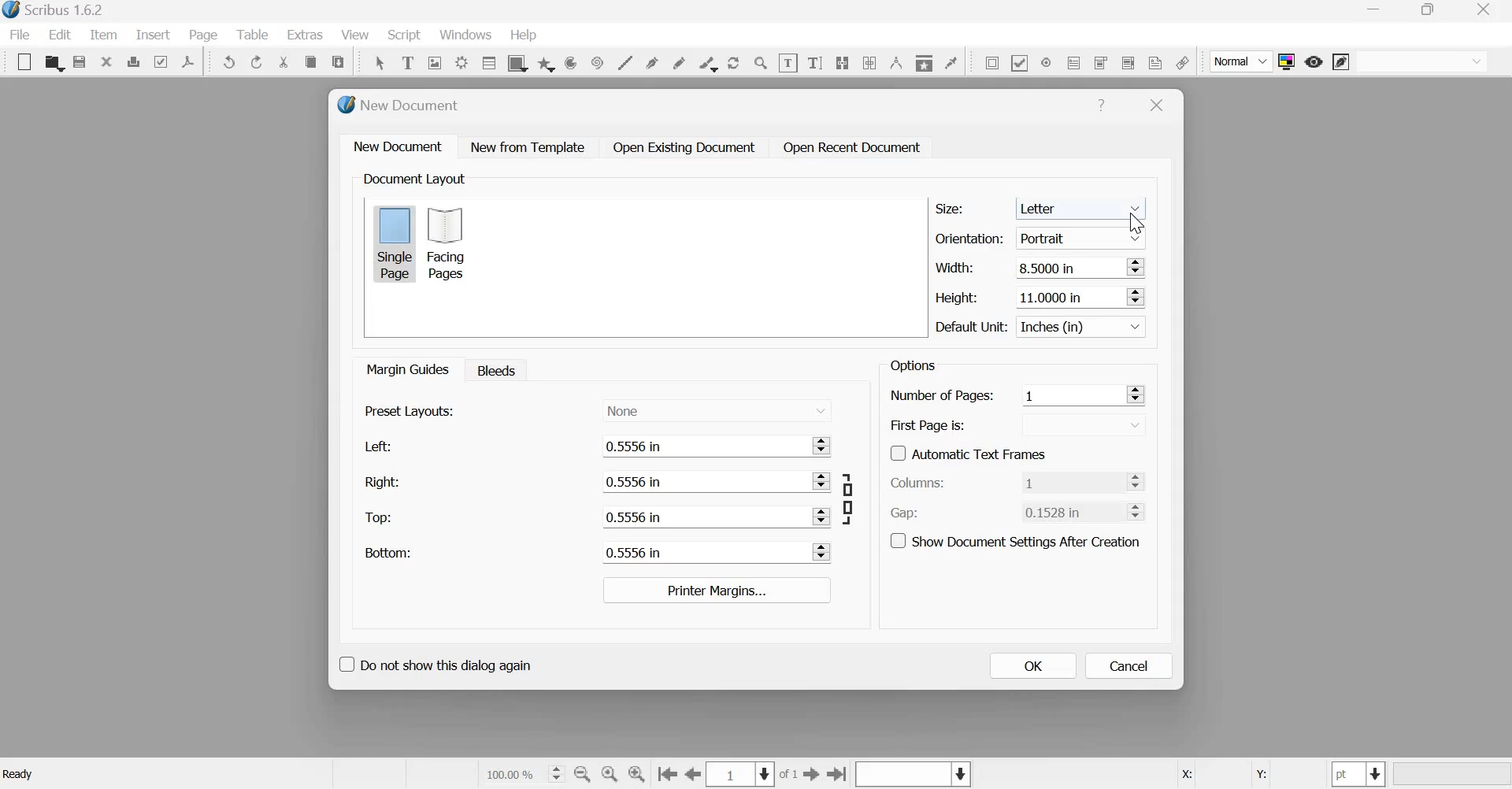 The height and width of the screenshot is (789, 1512). What do you see at coordinates (410, 410) in the screenshot?
I see `Present layouts: ` at bounding box center [410, 410].